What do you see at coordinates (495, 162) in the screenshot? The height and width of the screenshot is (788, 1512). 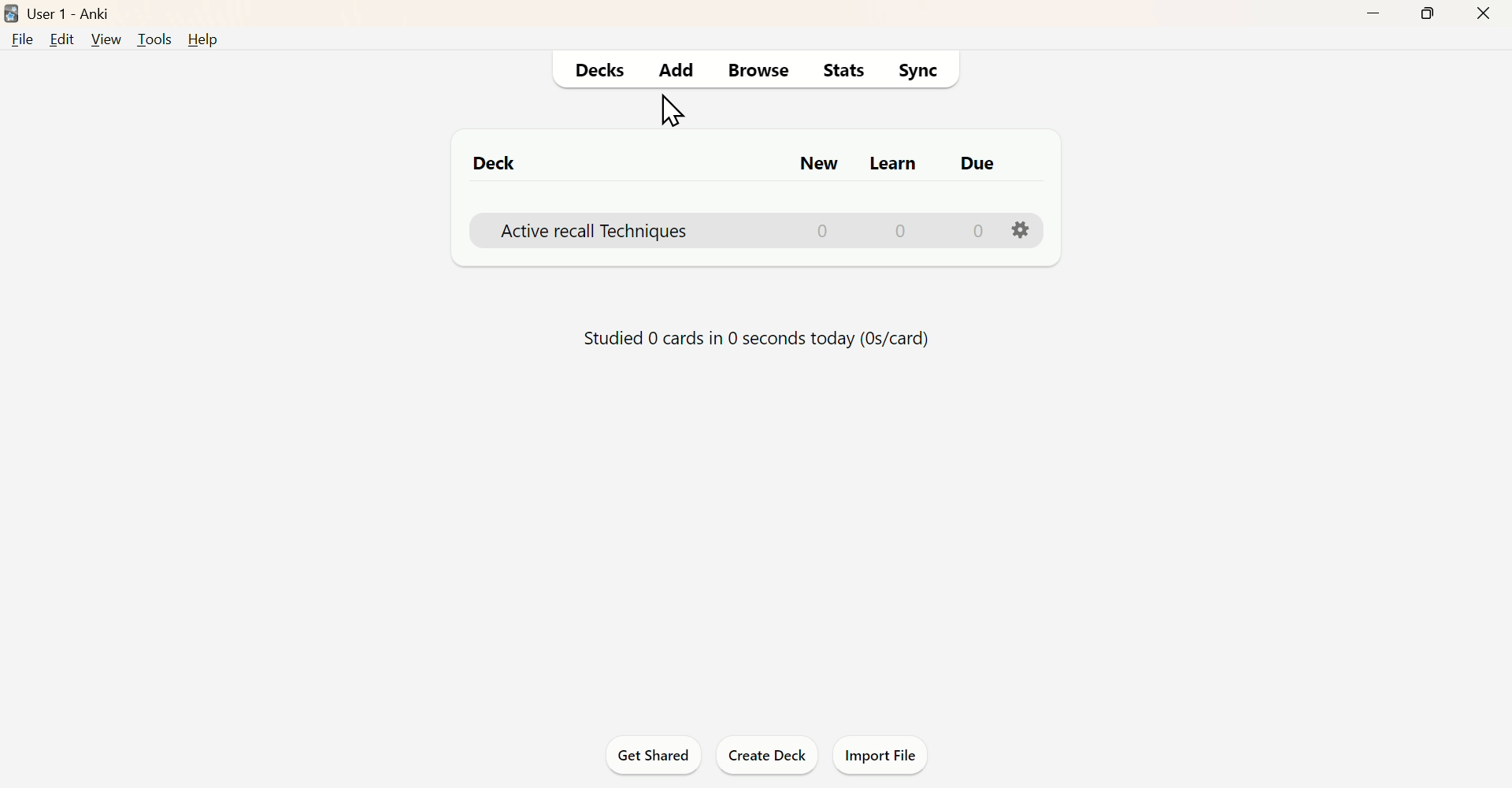 I see `Deck` at bounding box center [495, 162].